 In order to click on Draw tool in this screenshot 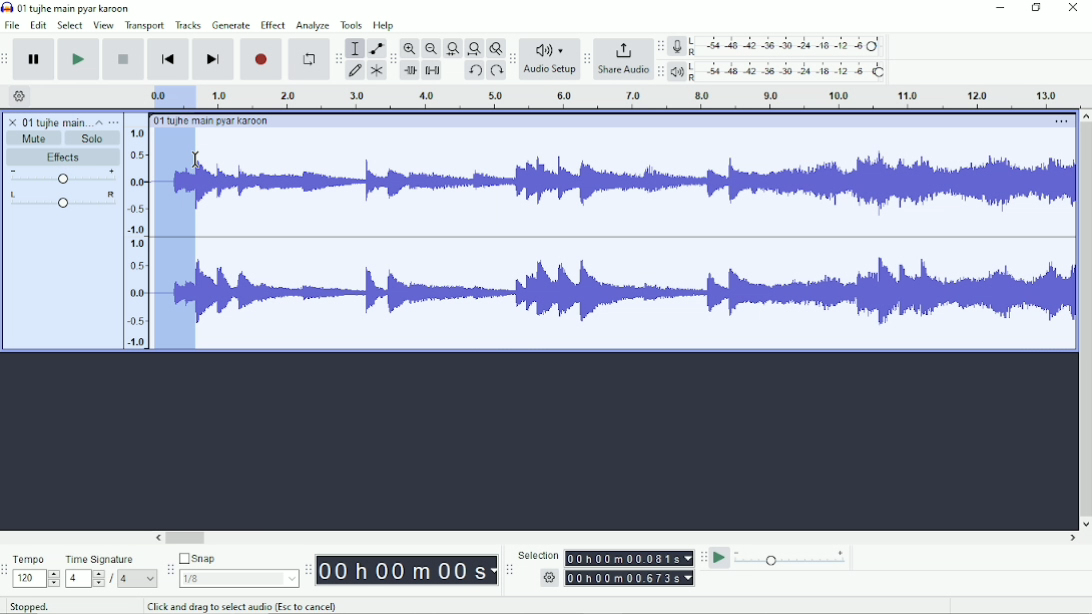, I will do `click(356, 71)`.